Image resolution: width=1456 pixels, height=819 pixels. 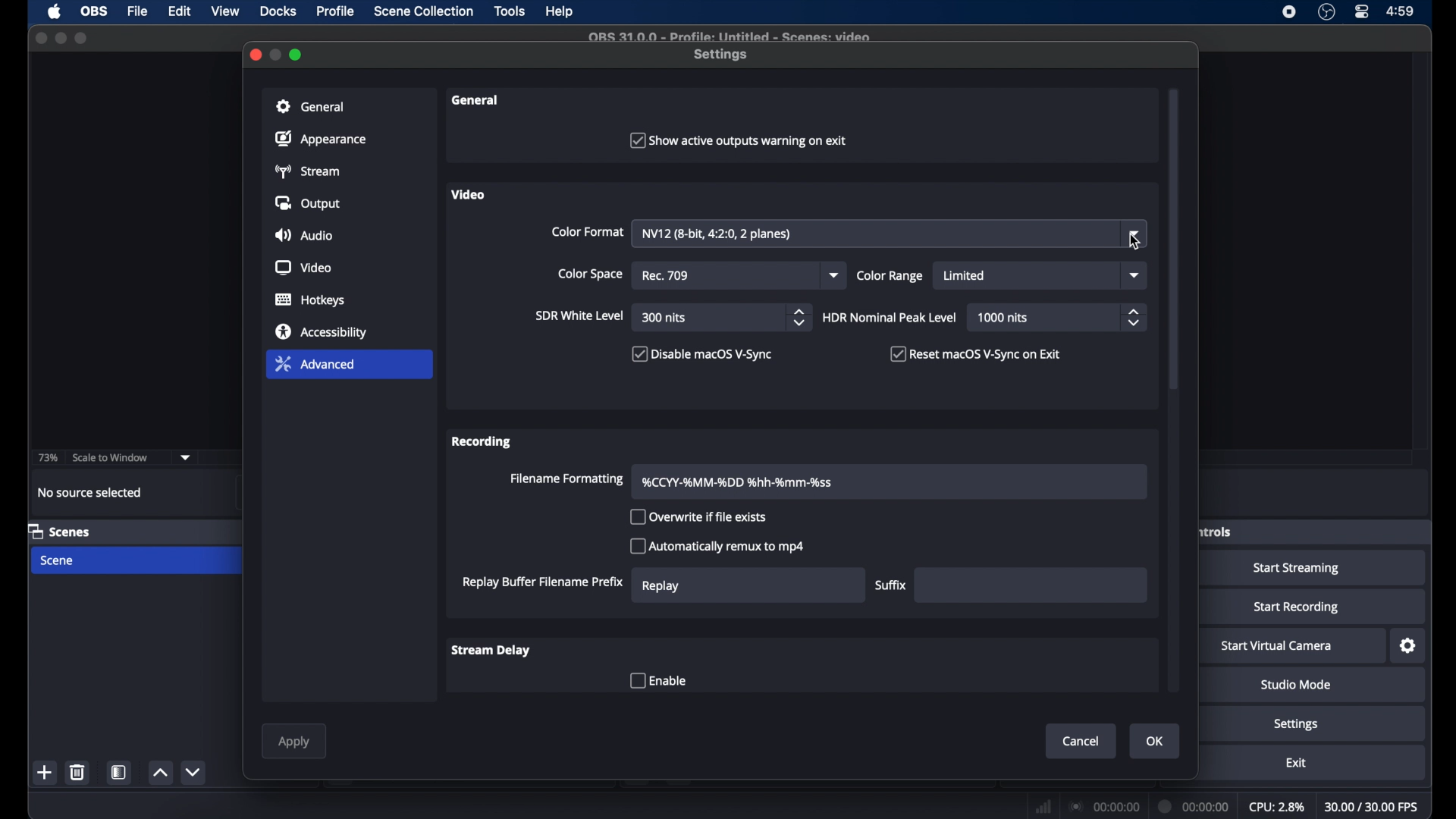 What do you see at coordinates (1175, 237) in the screenshot?
I see `scroll bar` at bounding box center [1175, 237].